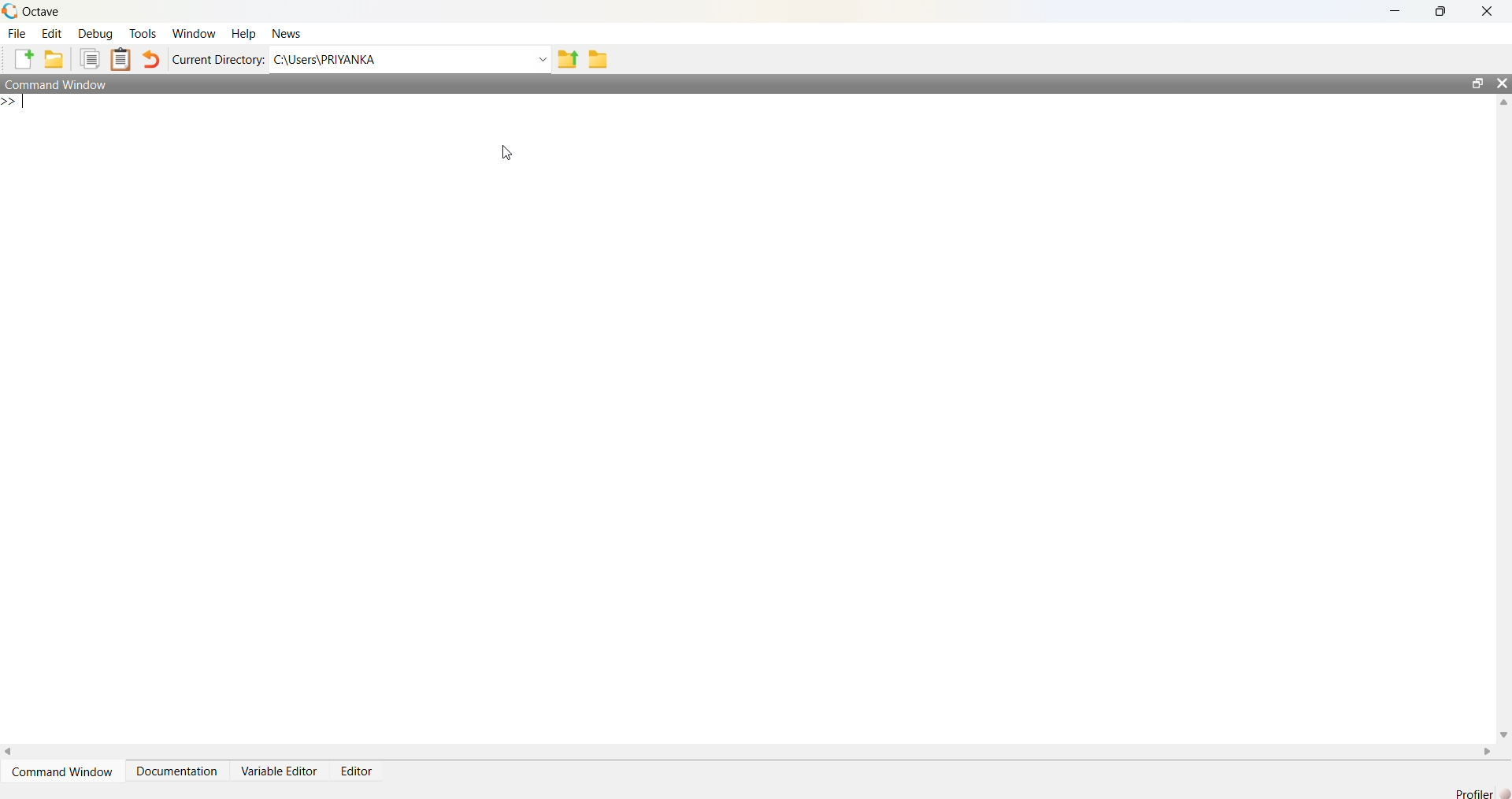 Image resolution: width=1512 pixels, height=799 pixels. I want to click on Edit, so click(54, 33).